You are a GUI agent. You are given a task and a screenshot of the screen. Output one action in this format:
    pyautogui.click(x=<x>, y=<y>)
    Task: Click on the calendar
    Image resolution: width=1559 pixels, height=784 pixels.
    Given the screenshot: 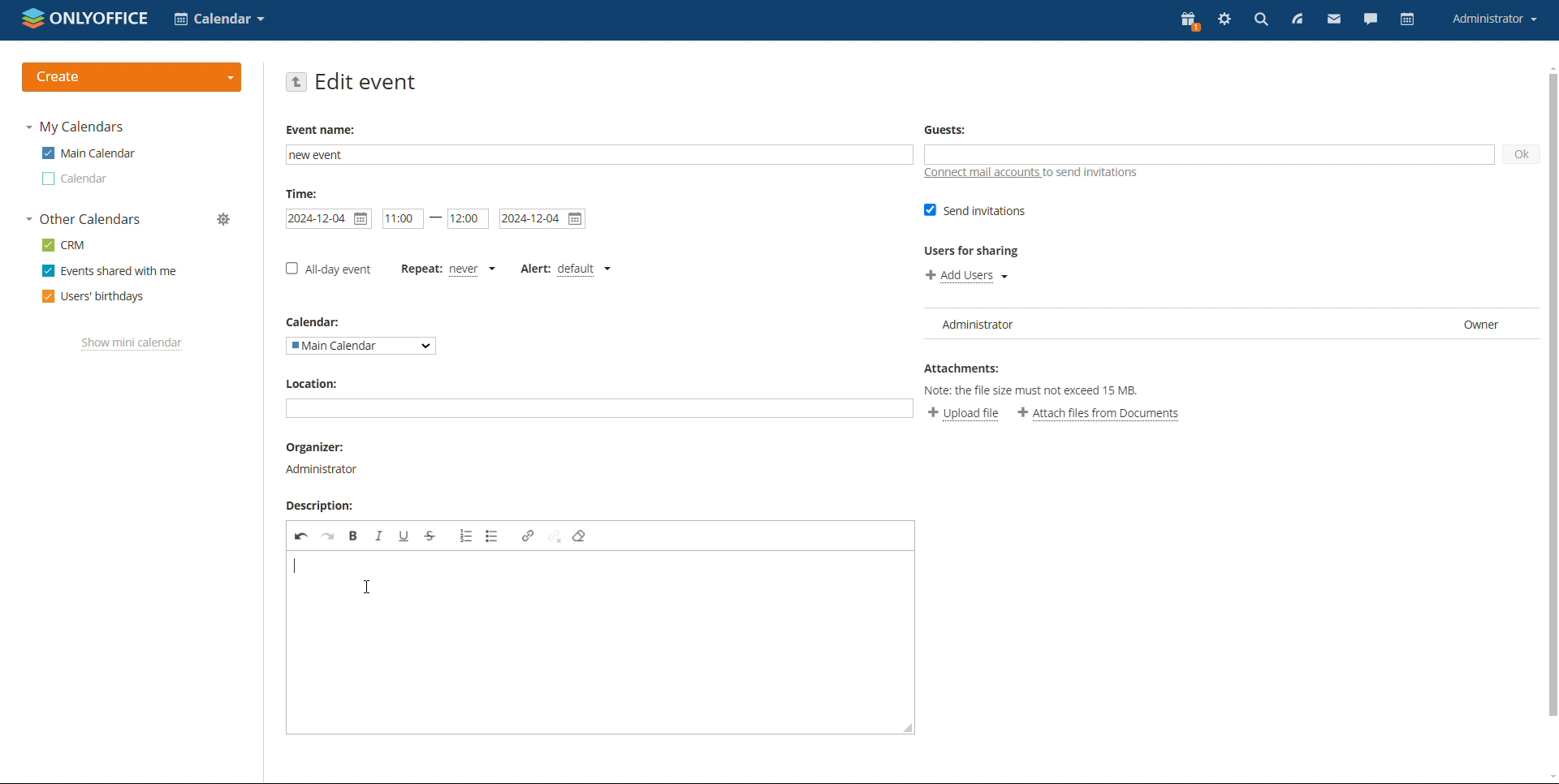 What is the action you would take?
    pyautogui.click(x=1406, y=20)
    